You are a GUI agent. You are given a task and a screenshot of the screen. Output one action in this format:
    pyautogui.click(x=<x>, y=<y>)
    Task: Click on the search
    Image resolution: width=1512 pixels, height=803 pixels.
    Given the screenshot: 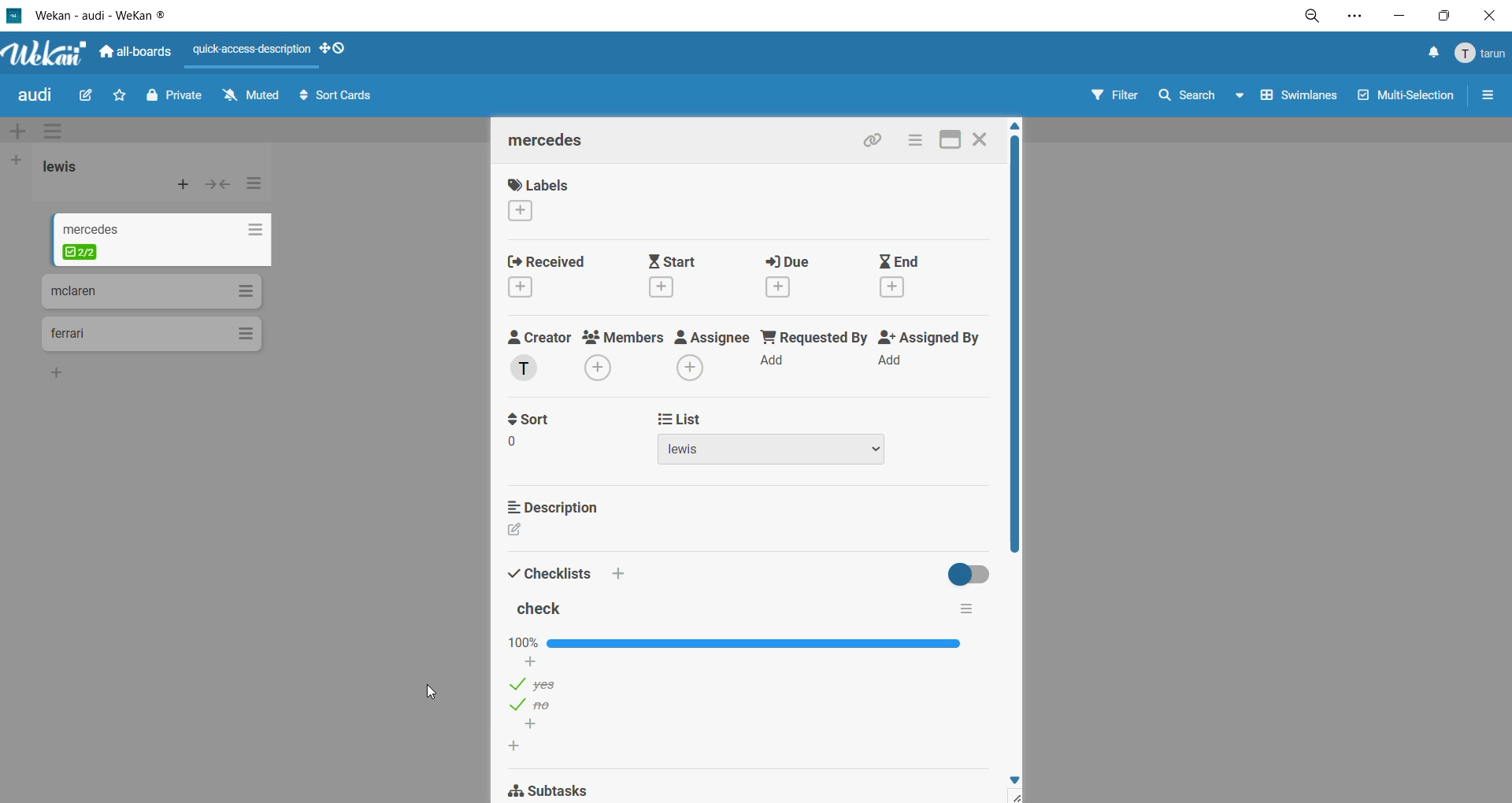 What is the action you would take?
    pyautogui.click(x=1199, y=98)
    